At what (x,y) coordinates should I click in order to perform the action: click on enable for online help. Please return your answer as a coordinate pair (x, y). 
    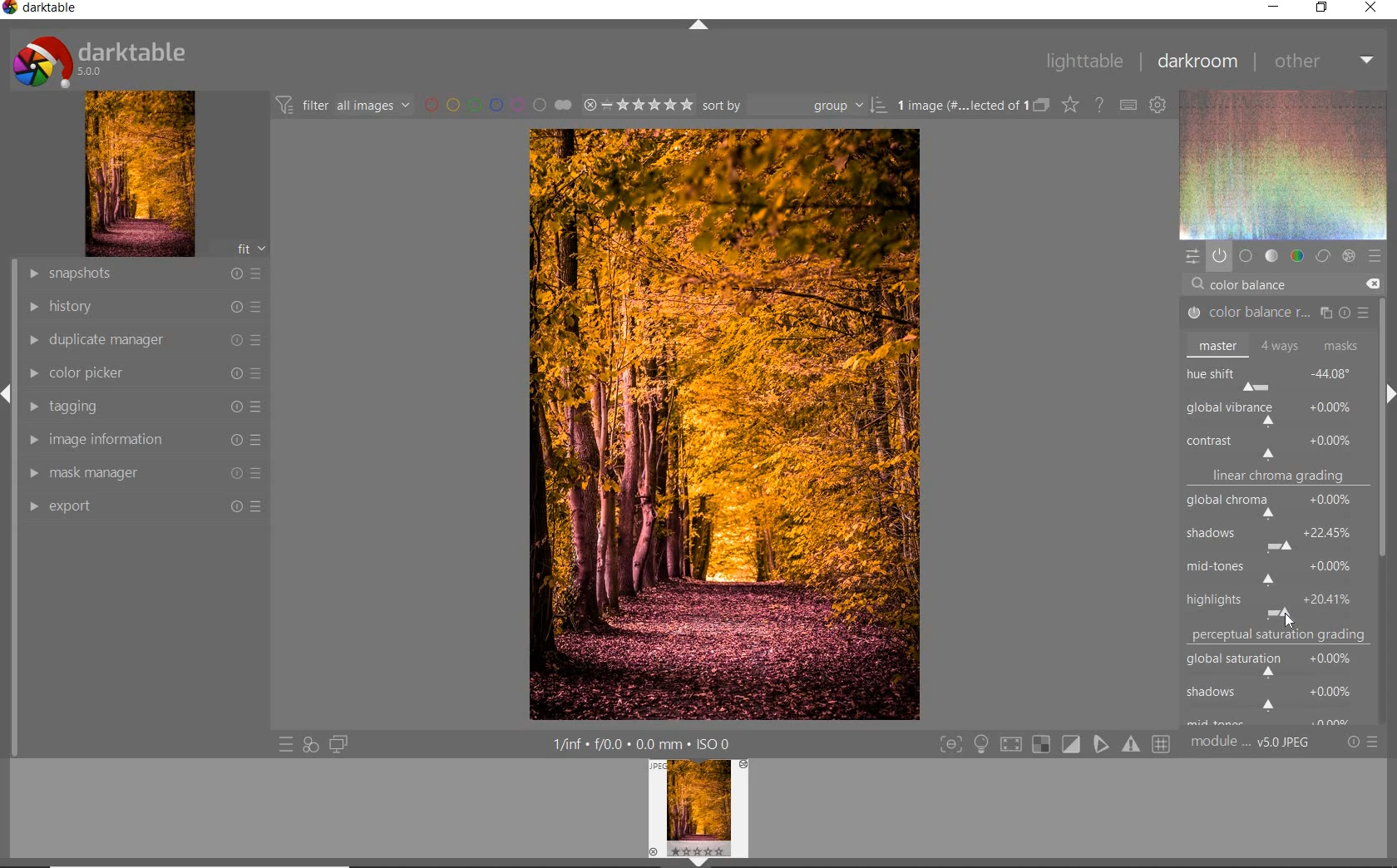
    Looking at the image, I should click on (1101, 105).